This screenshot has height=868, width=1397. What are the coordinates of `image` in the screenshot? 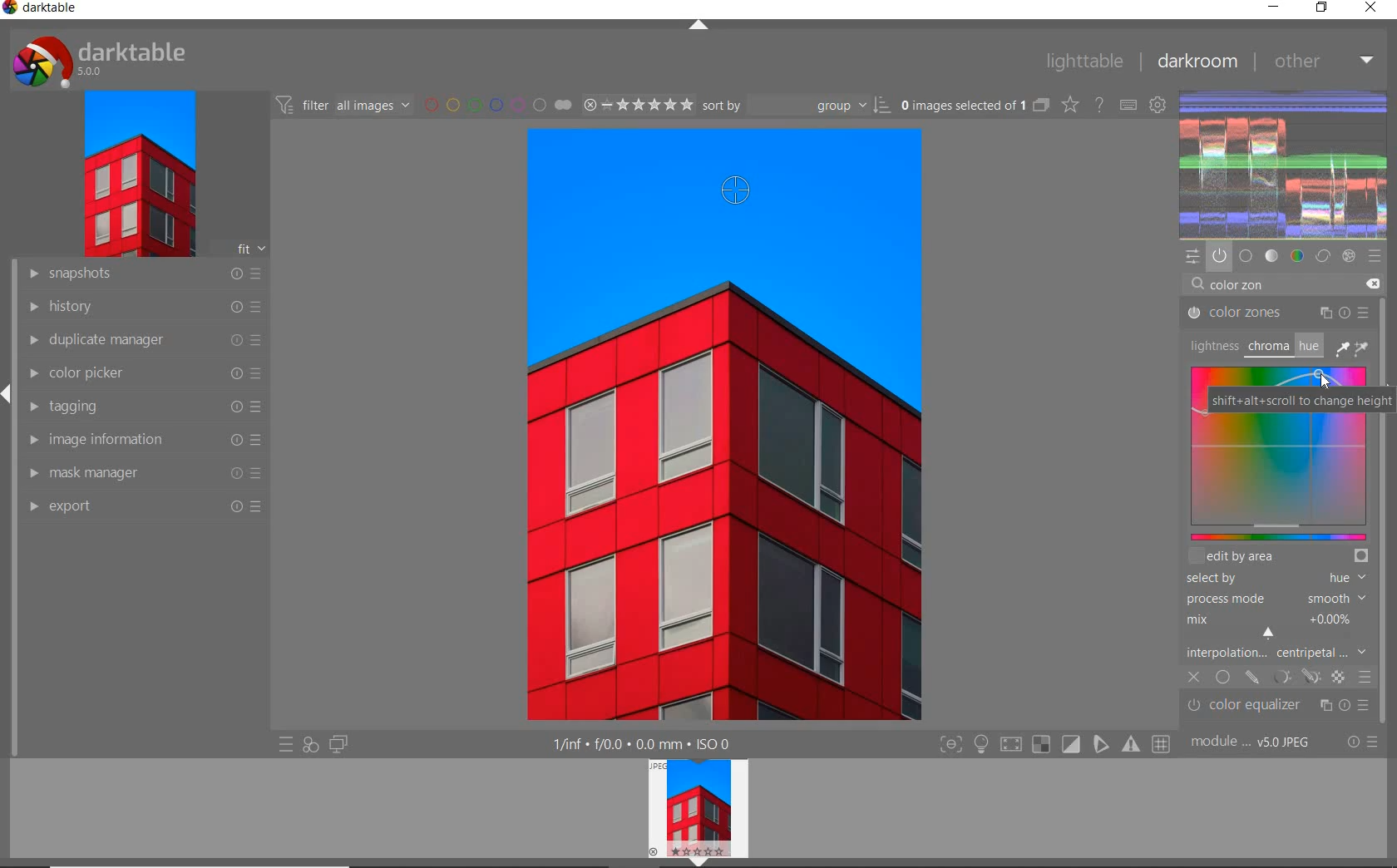 It's located at (138, 175).